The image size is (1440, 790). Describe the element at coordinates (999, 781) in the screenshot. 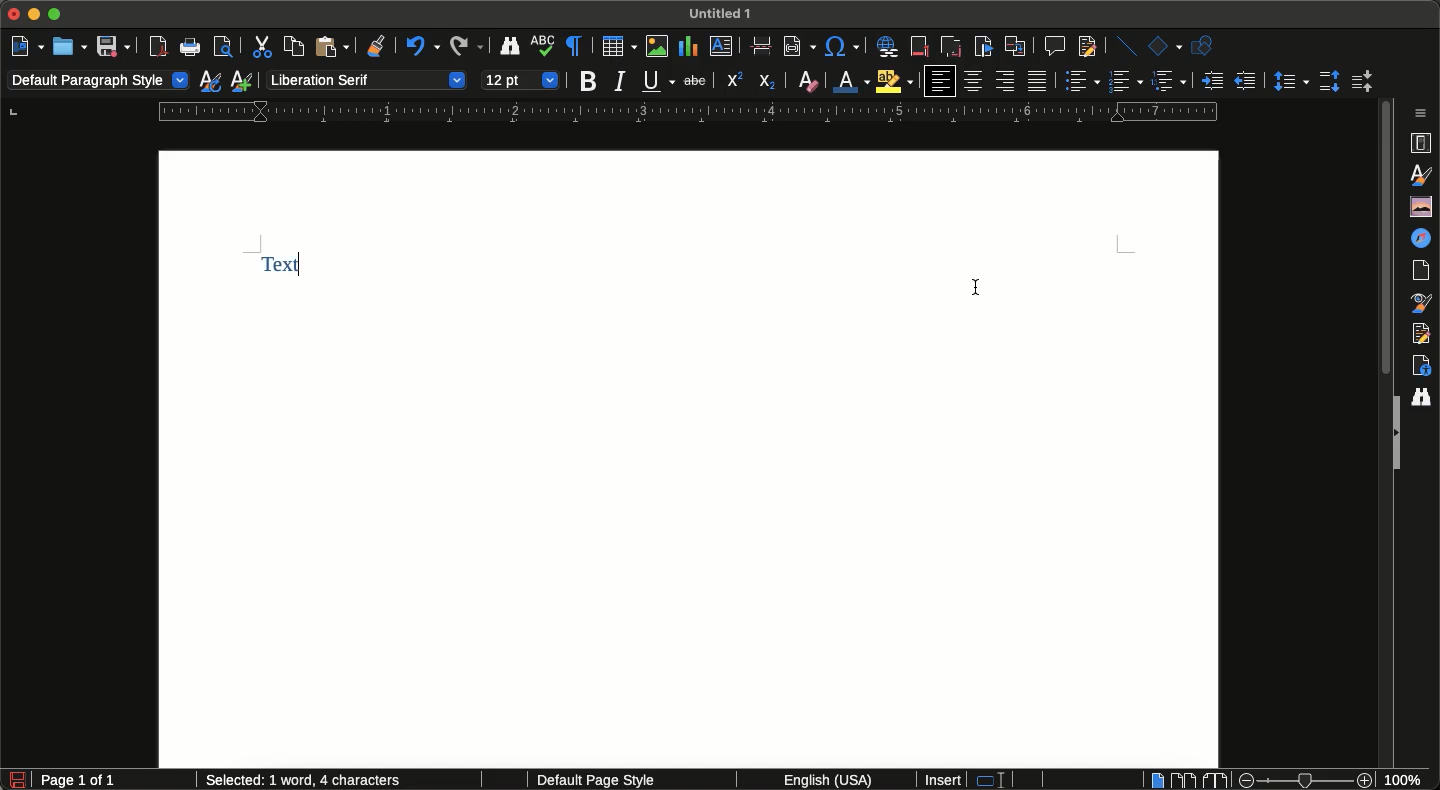

I see `Standard selection` at that location.